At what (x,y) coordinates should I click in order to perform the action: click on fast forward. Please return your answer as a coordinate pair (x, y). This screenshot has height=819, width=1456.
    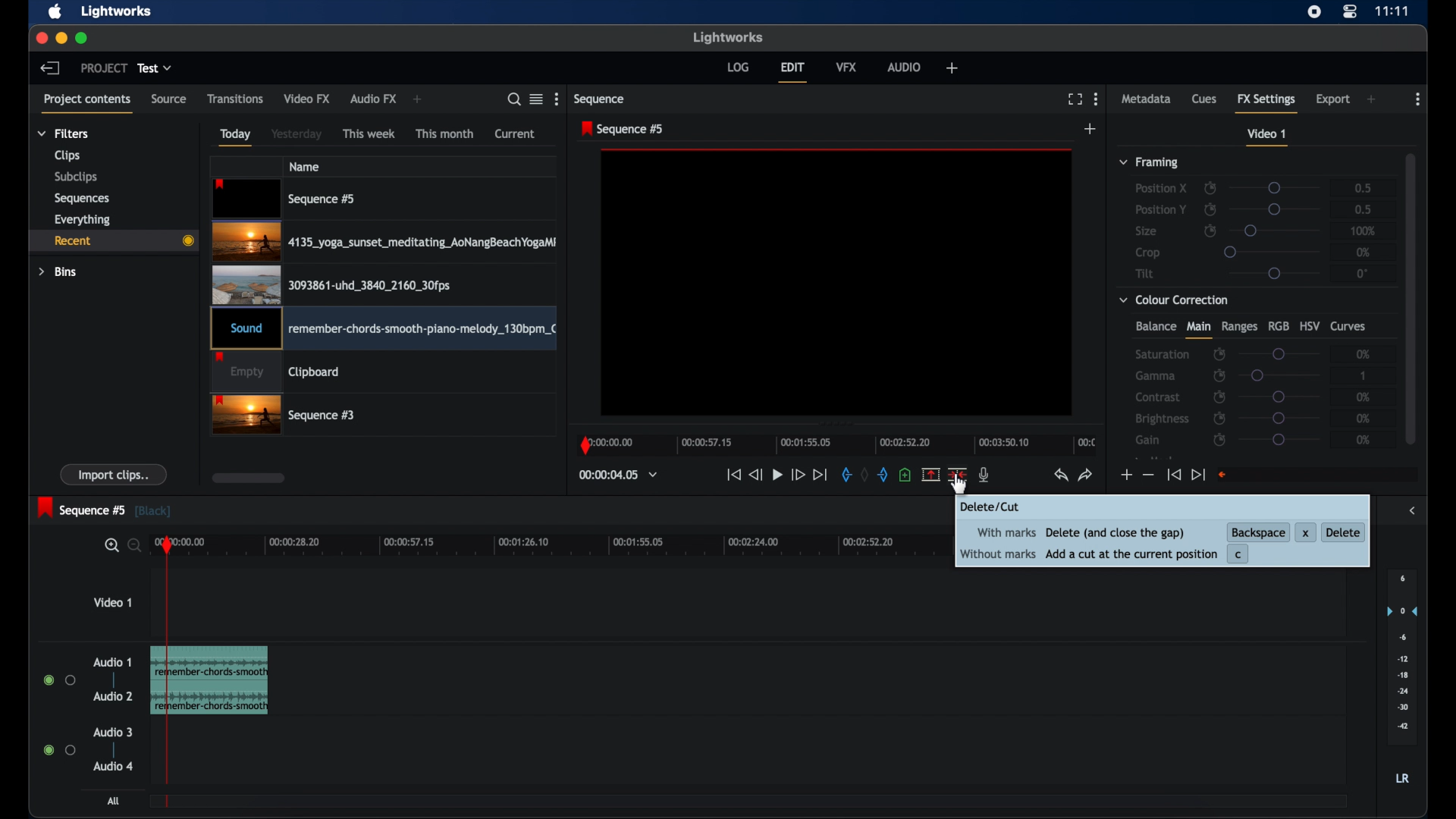
    Looking at the image, I should click on (797, 476).